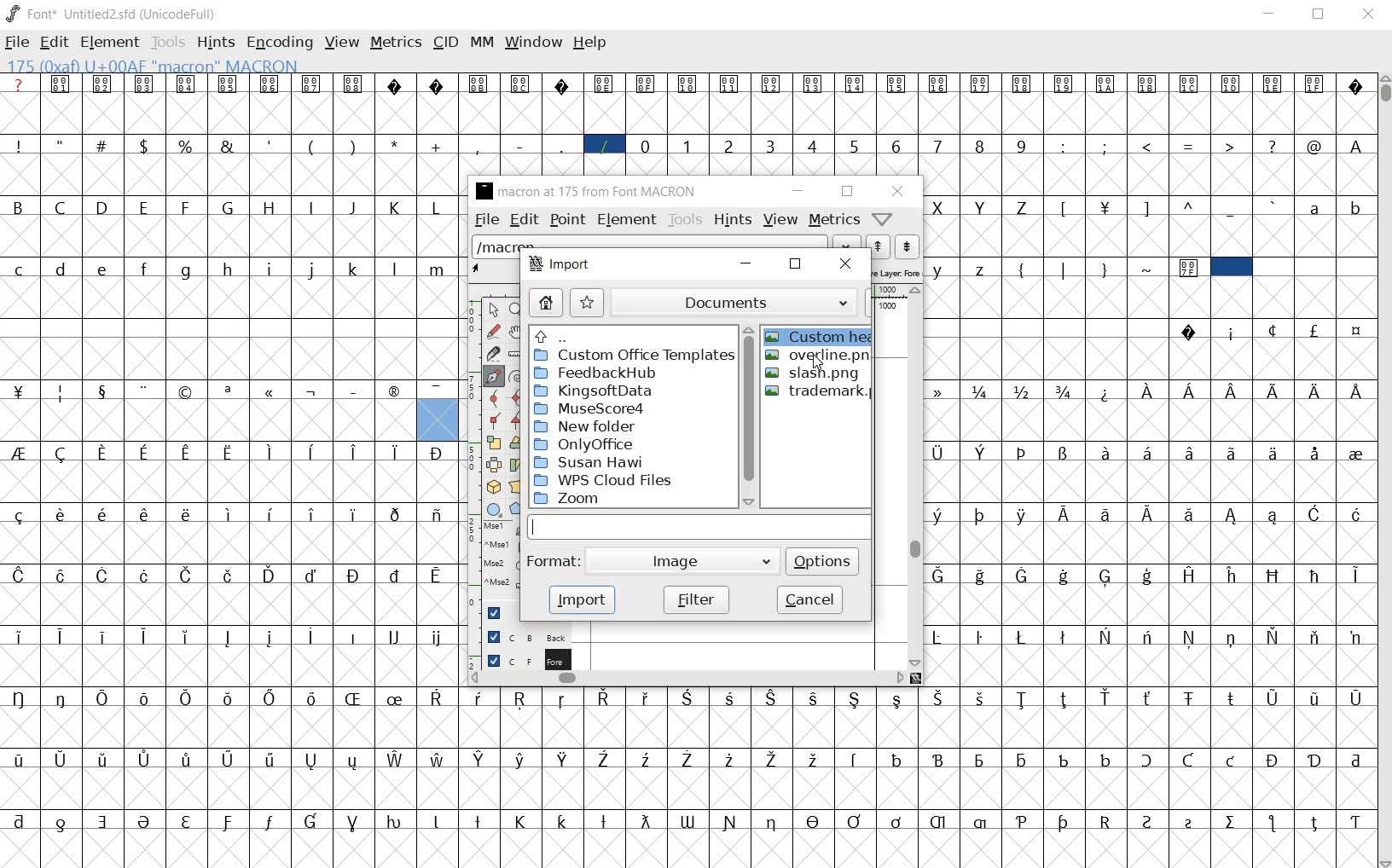  What do you see at coordinates (546, 304) in the screenshot?
I see `home` at bounding box center [546, 304].